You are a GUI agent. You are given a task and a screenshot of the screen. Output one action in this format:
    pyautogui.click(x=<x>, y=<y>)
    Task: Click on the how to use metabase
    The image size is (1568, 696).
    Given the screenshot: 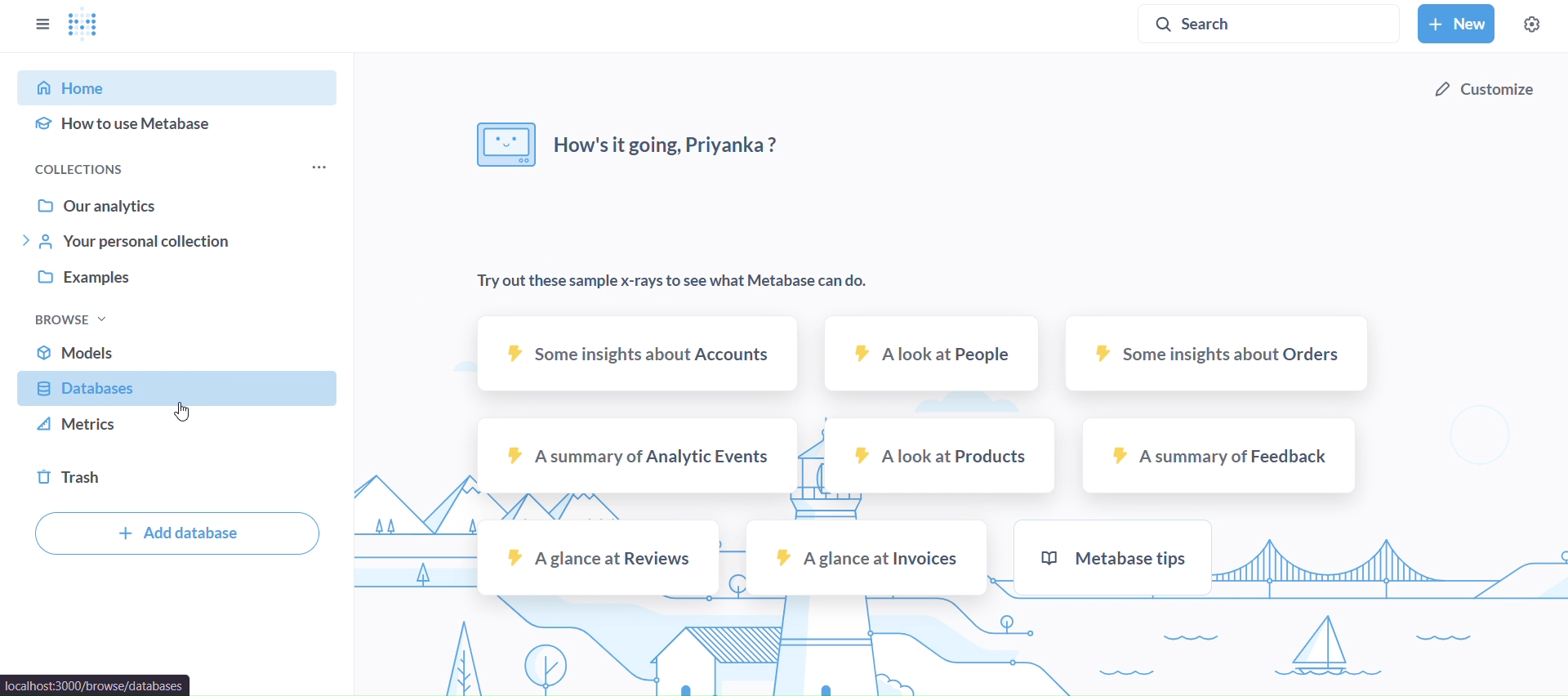 What is the action you would take?
    pyautogui.click(x=179, y=123)
    